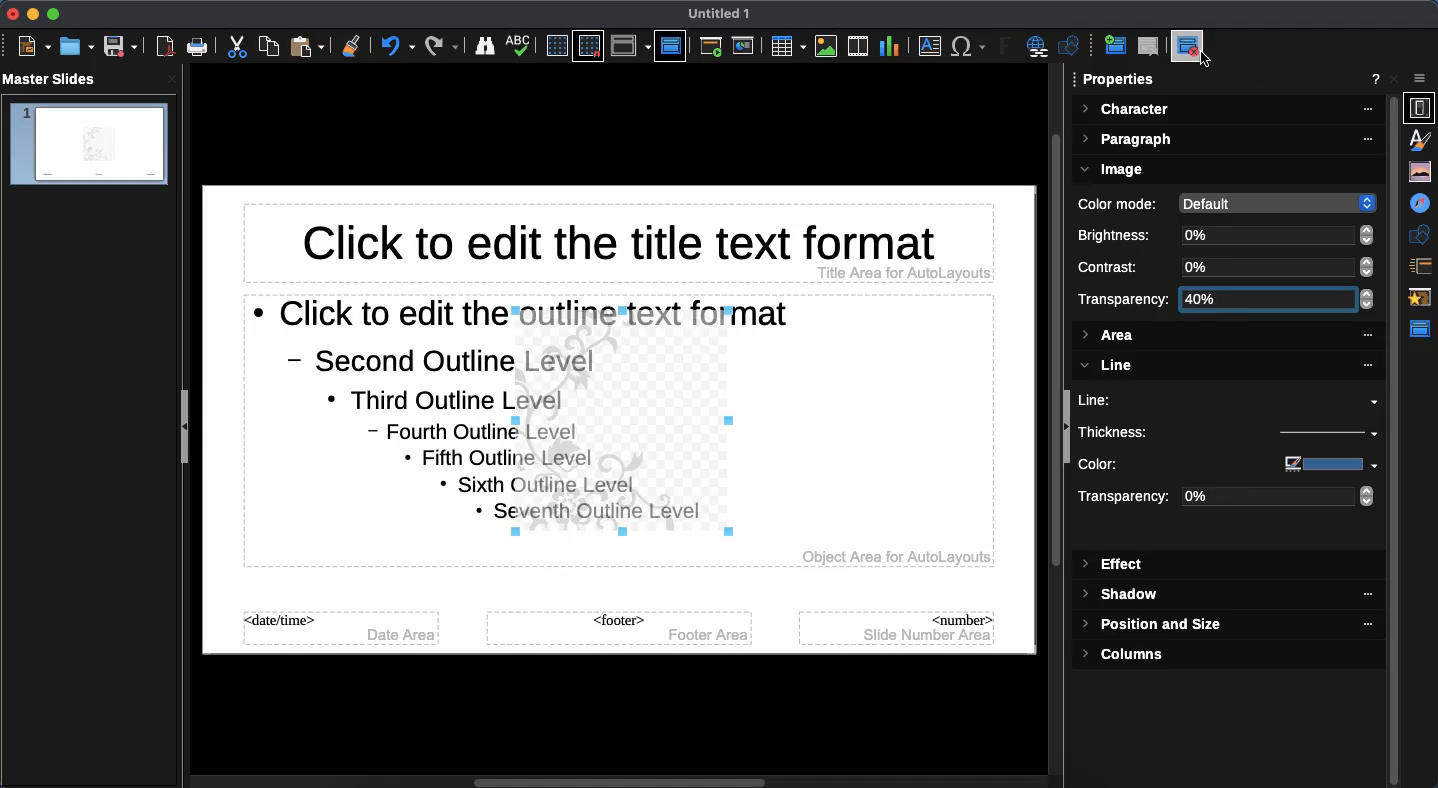  I want to click on Columns, so click(1131, 654).